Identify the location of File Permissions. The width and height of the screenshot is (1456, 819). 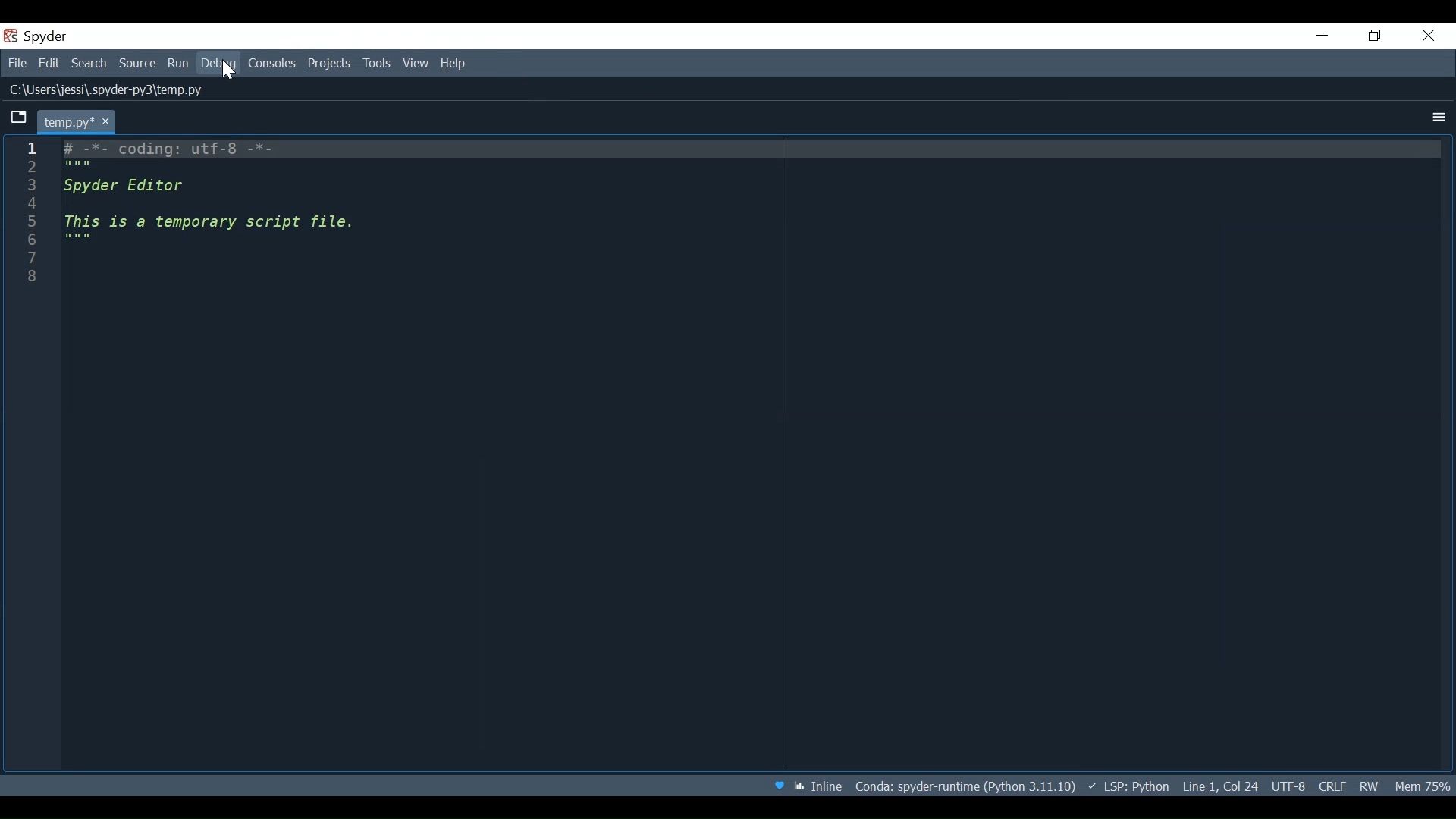
(1369, 786).